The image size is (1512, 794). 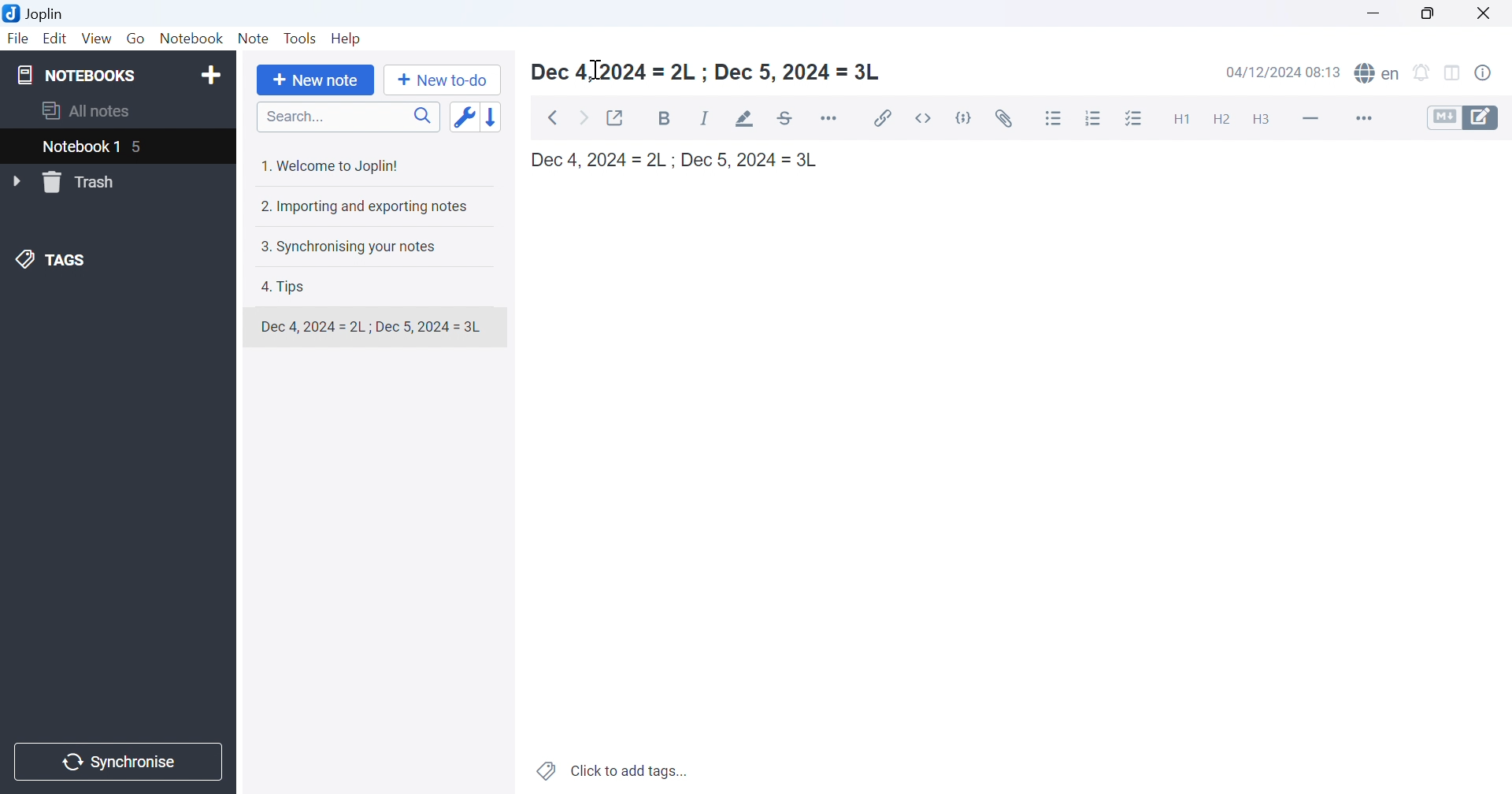 I want to click on Strikethrough, so click(x=787, y=118).